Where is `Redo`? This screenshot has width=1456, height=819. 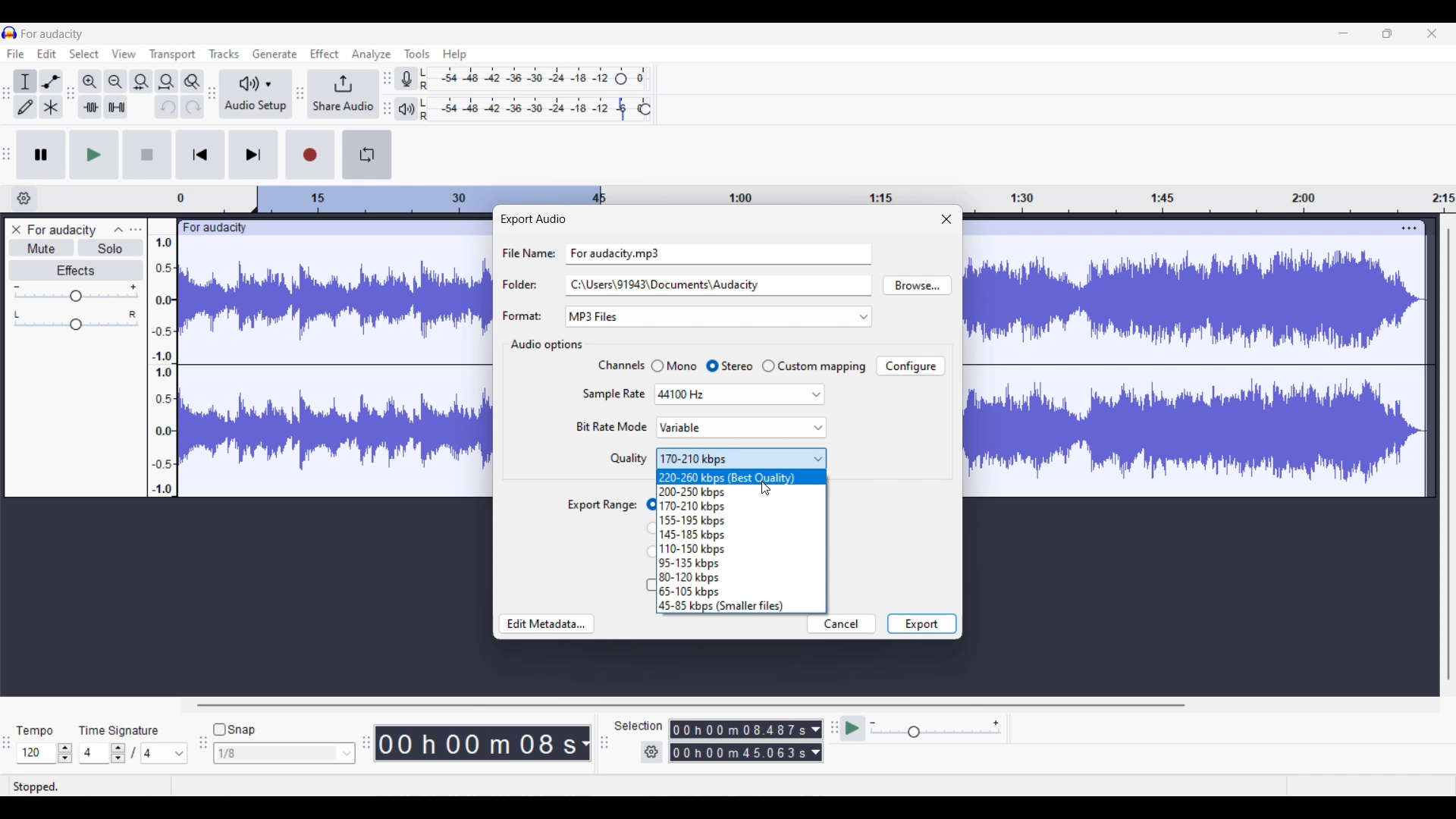 Redo is located at coordinates (193, 106).